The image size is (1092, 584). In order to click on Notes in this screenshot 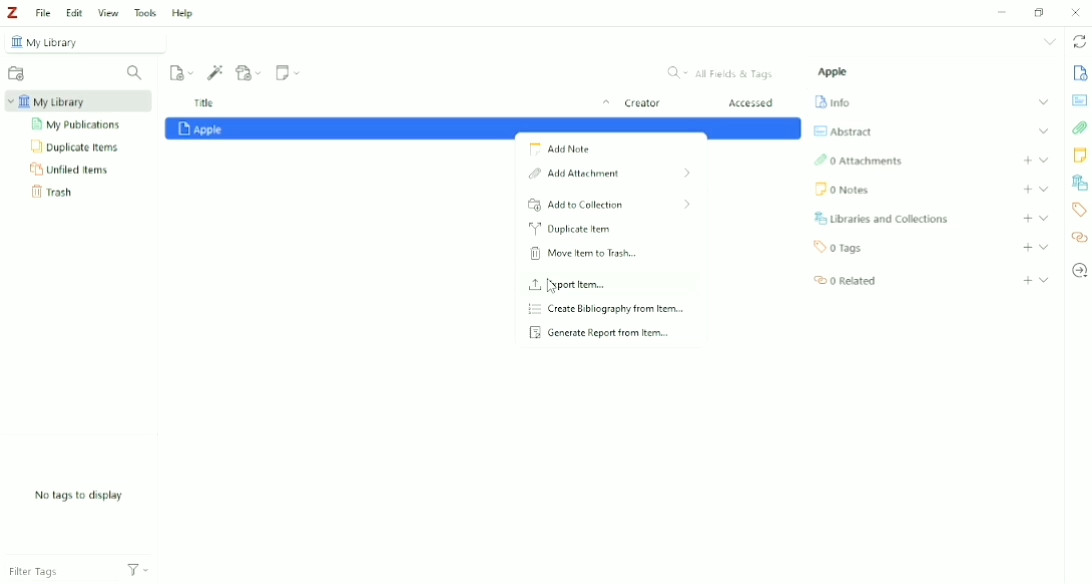, I will do `click(1080, 157)`.